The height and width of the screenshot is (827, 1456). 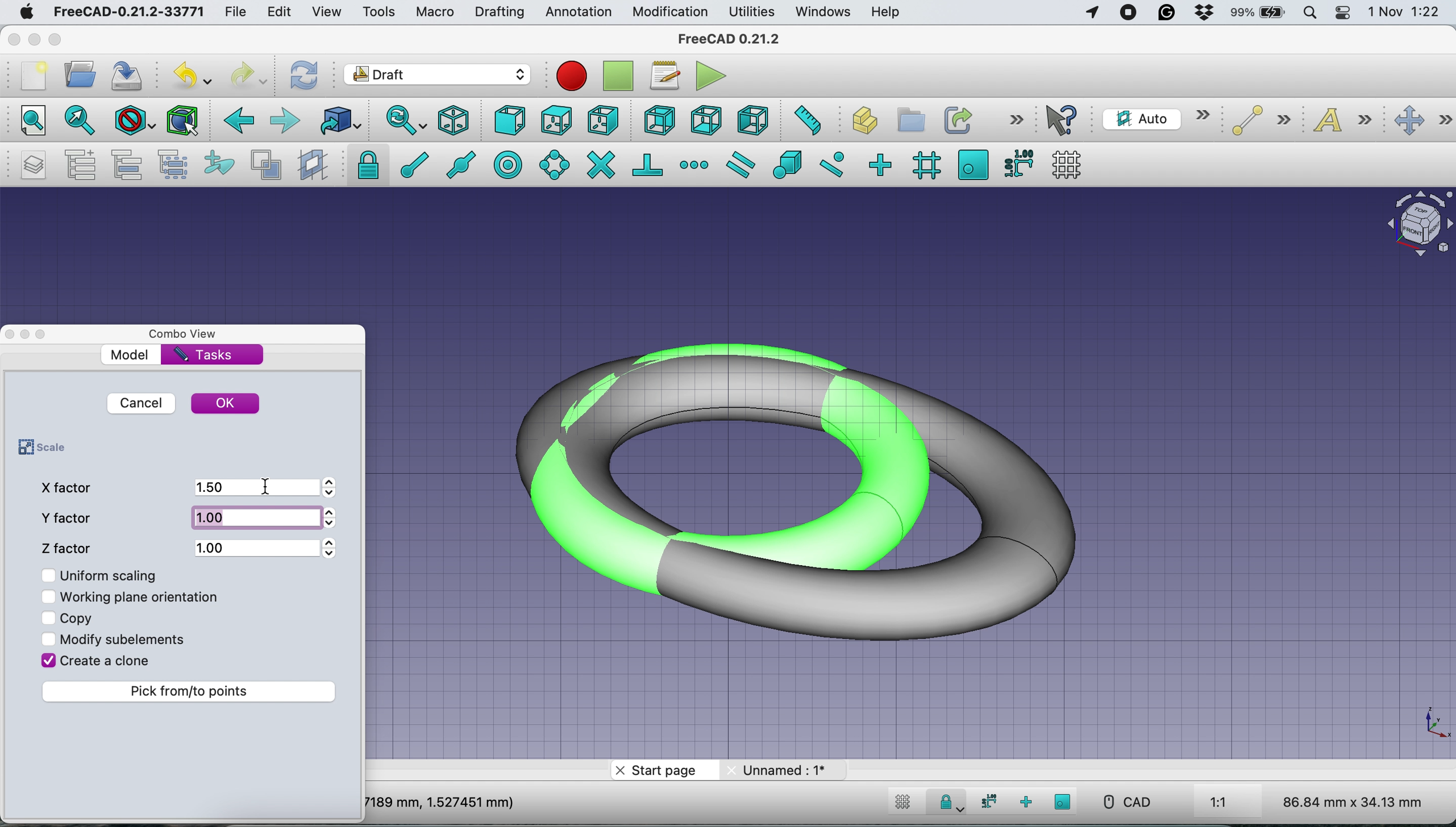 What do you see at coordinates (305, 76) in the screenshot?
I see `refresh` at bounding box center [305, 76].